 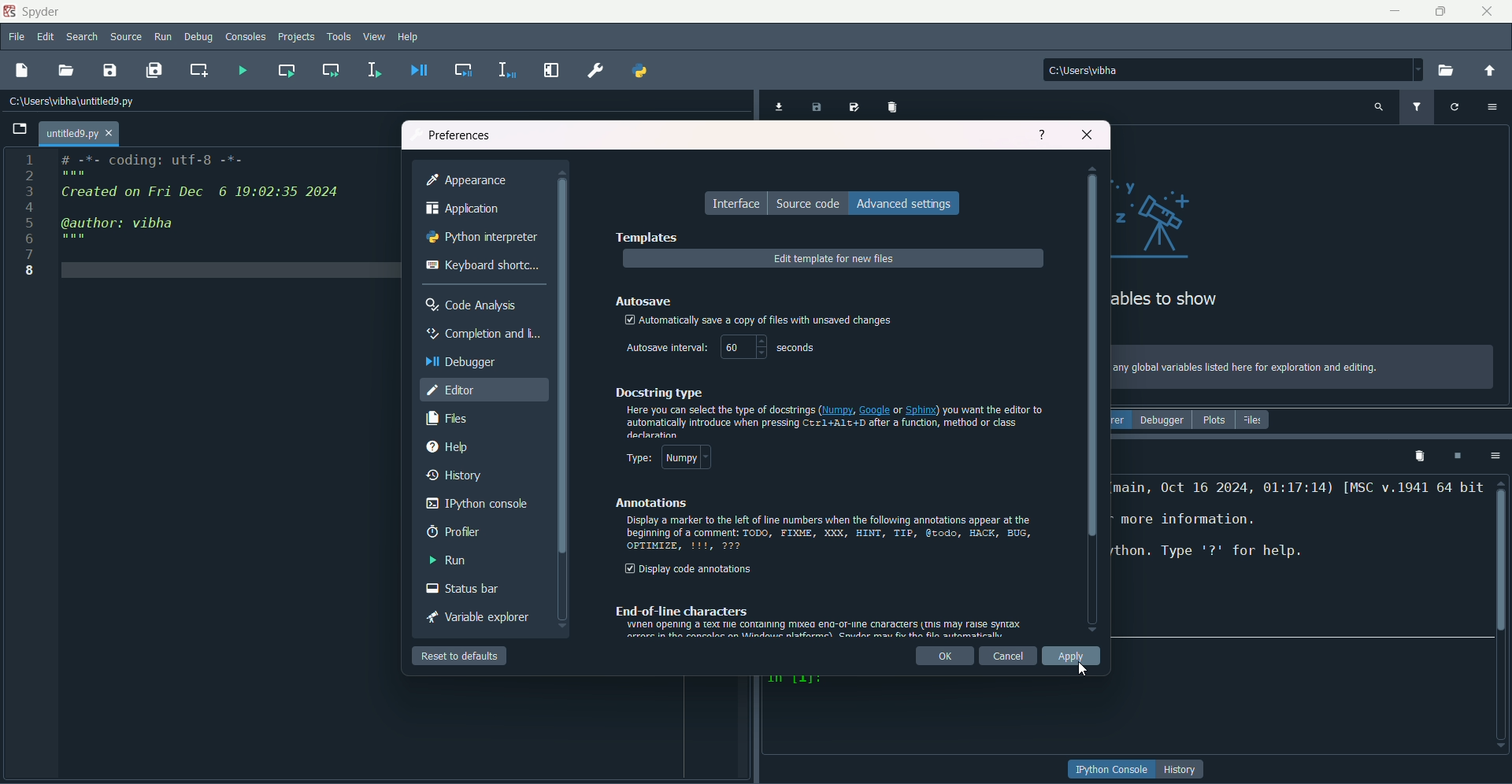 I want to click on edit templates, so click(x=835, y=260).